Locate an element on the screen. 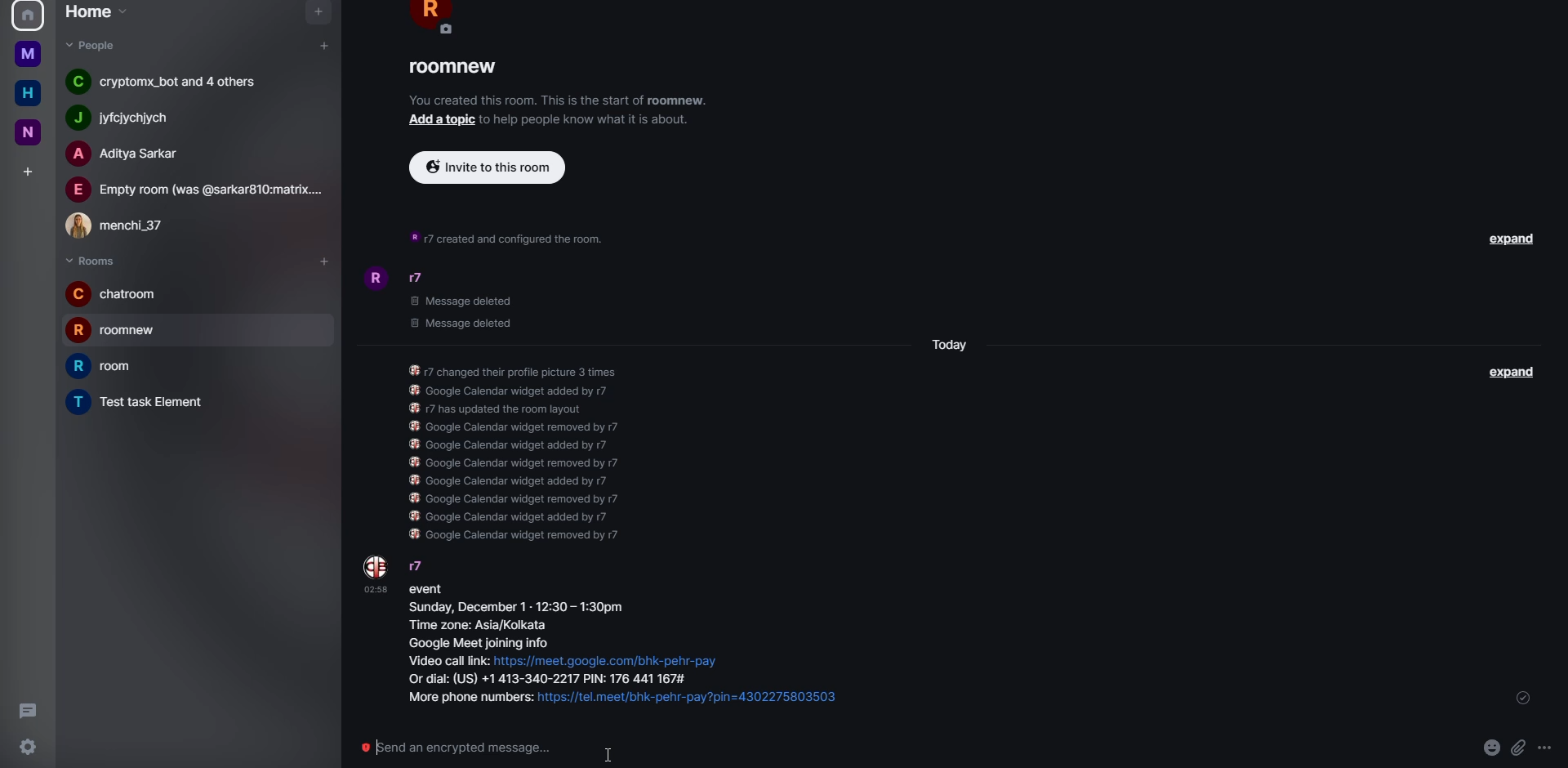 This screenshot has width=1568, height=768. emoji is located at coordinates (1490, 748).